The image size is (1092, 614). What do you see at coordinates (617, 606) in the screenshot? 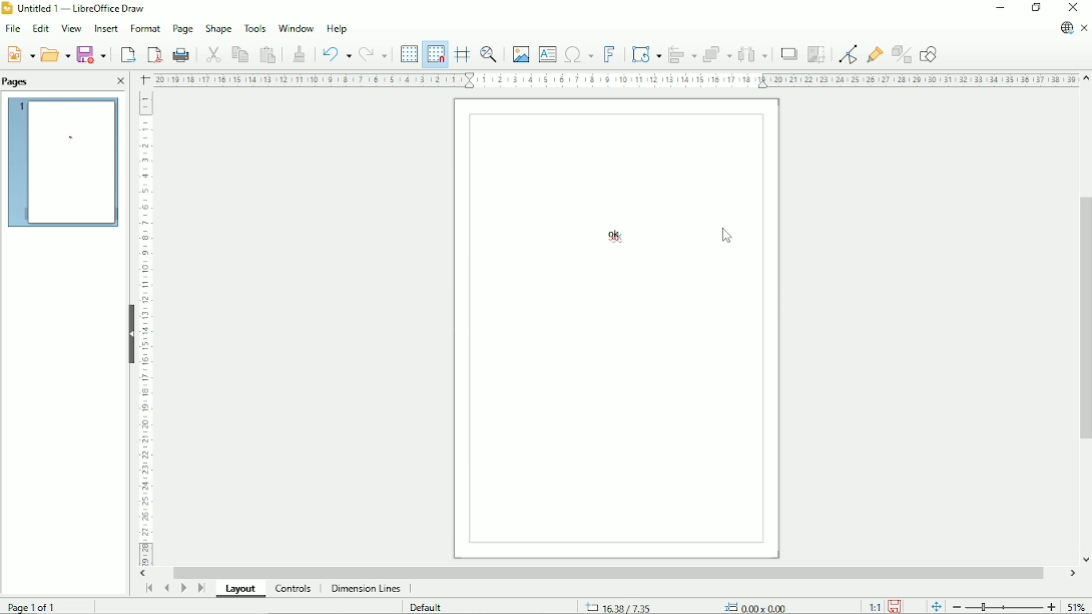
I see `16.38x7.35` at bounding box center [617, 606].